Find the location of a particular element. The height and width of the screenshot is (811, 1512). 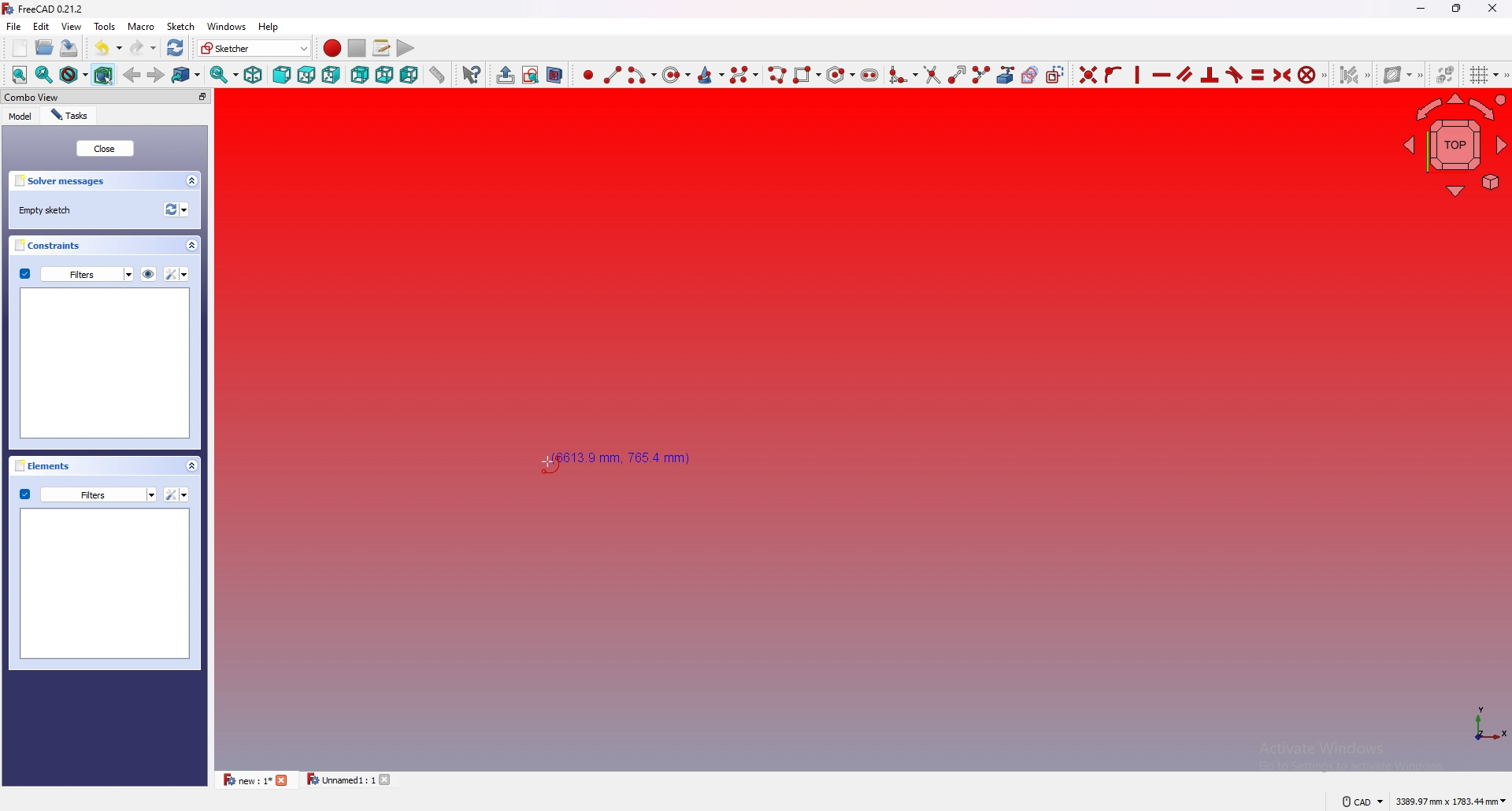

model is located at coordinates (20, 117).